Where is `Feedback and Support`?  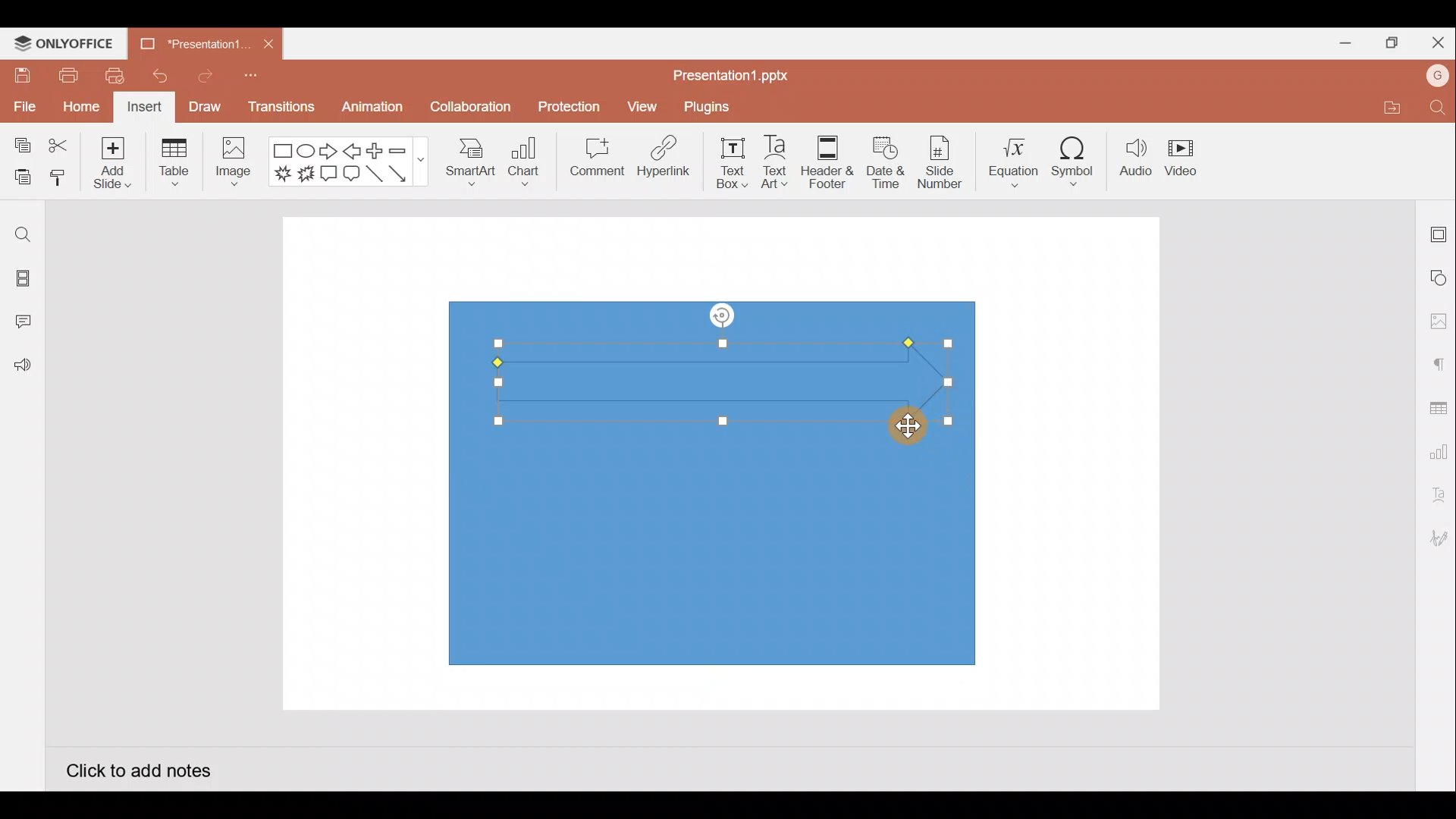
Feedback and Support is located at coordinates (22, 369).